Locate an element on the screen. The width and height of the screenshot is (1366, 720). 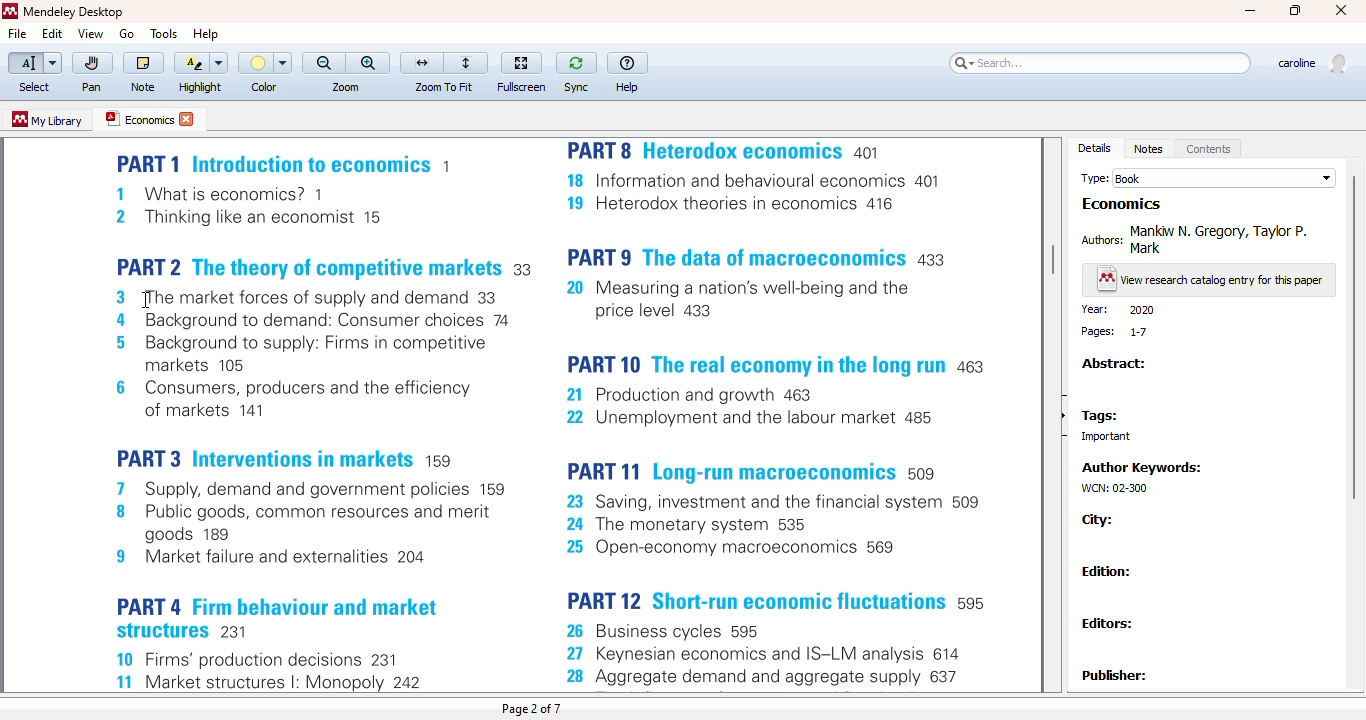
fit to width is located at coordinates (422, 63).